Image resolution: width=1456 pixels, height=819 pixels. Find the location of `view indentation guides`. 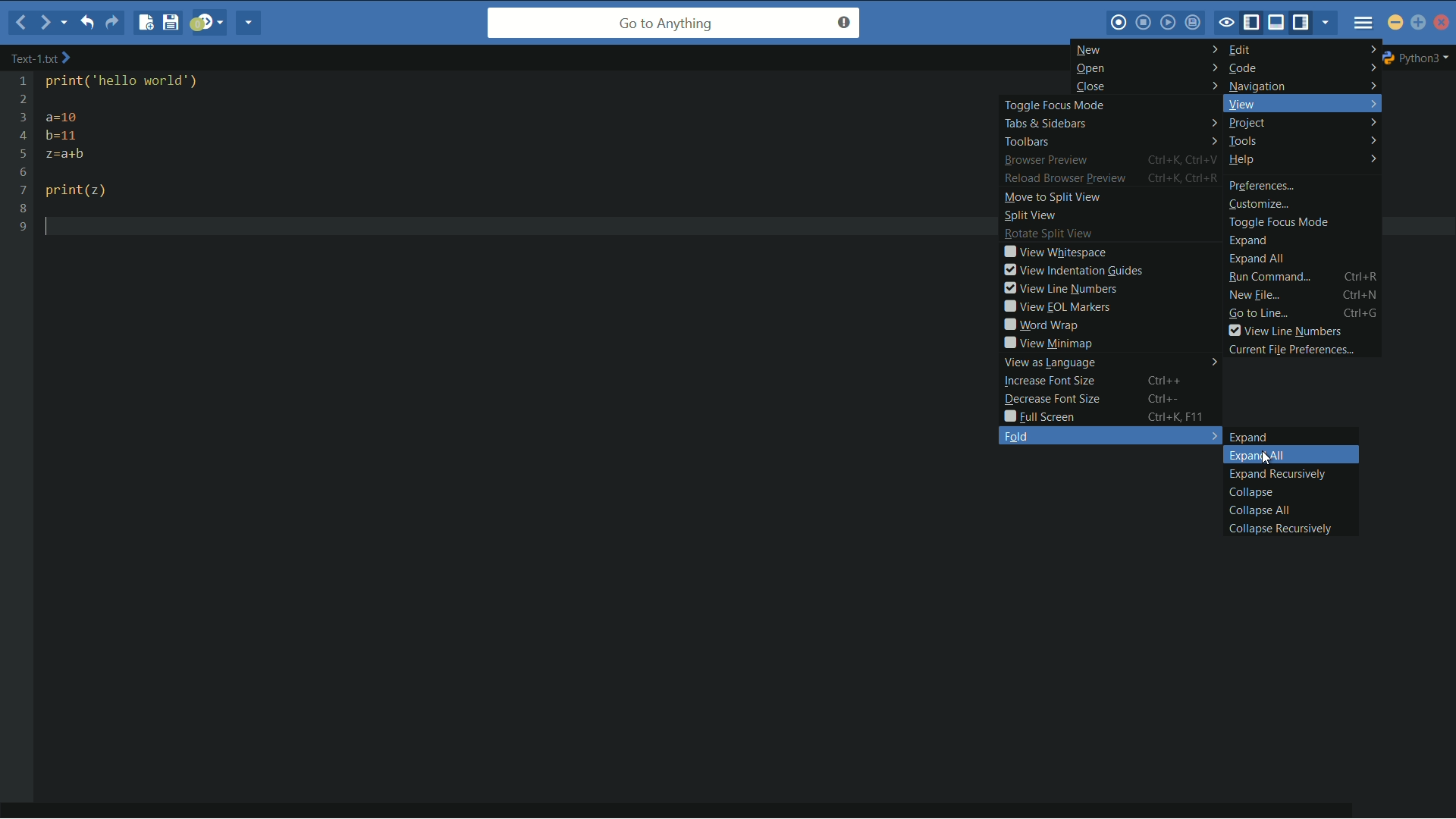

view indentation guides is located at coordinates (1072, 270).